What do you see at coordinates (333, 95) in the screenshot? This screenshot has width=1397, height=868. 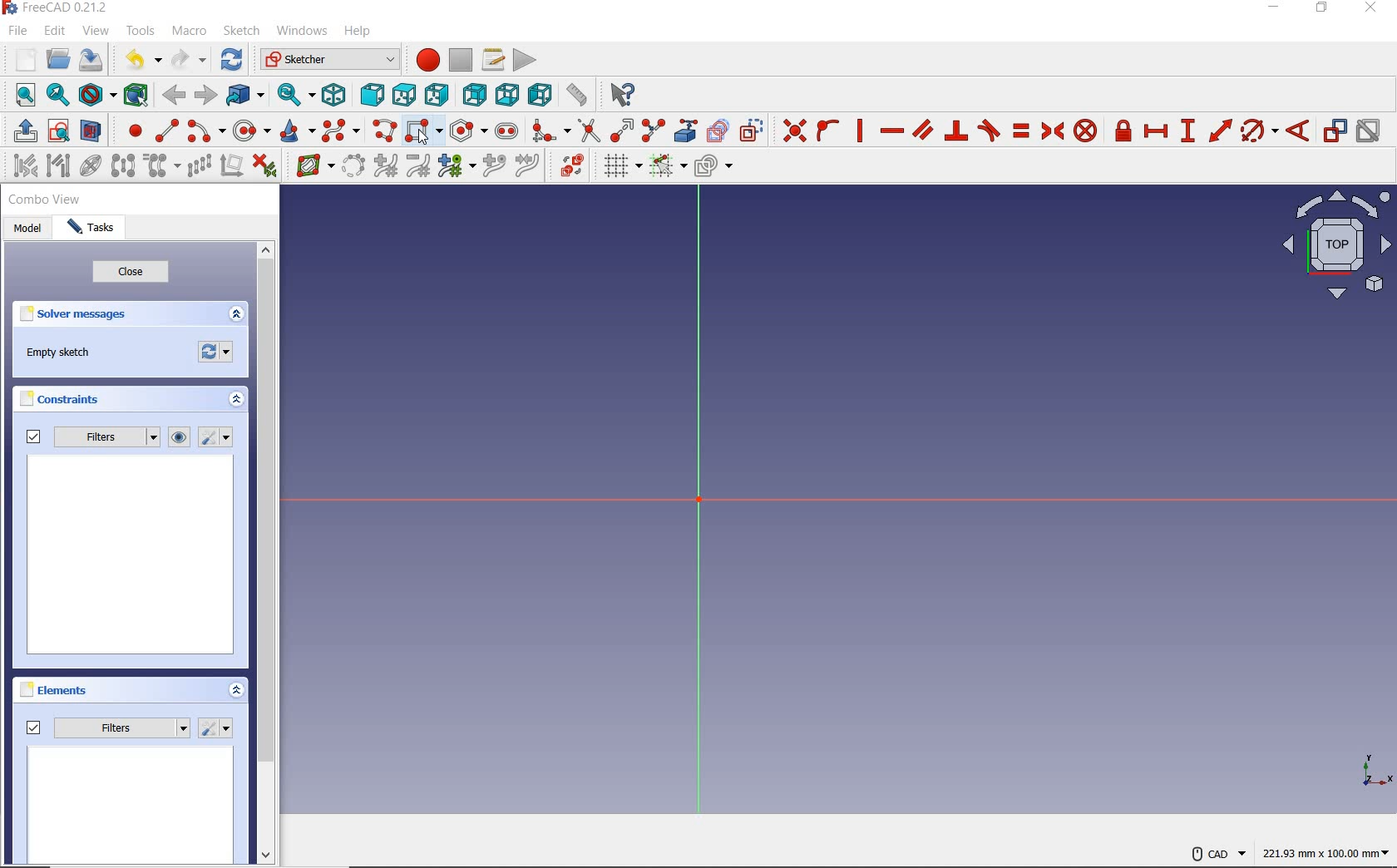 I see `isometric` at bounding box center [333, 95].